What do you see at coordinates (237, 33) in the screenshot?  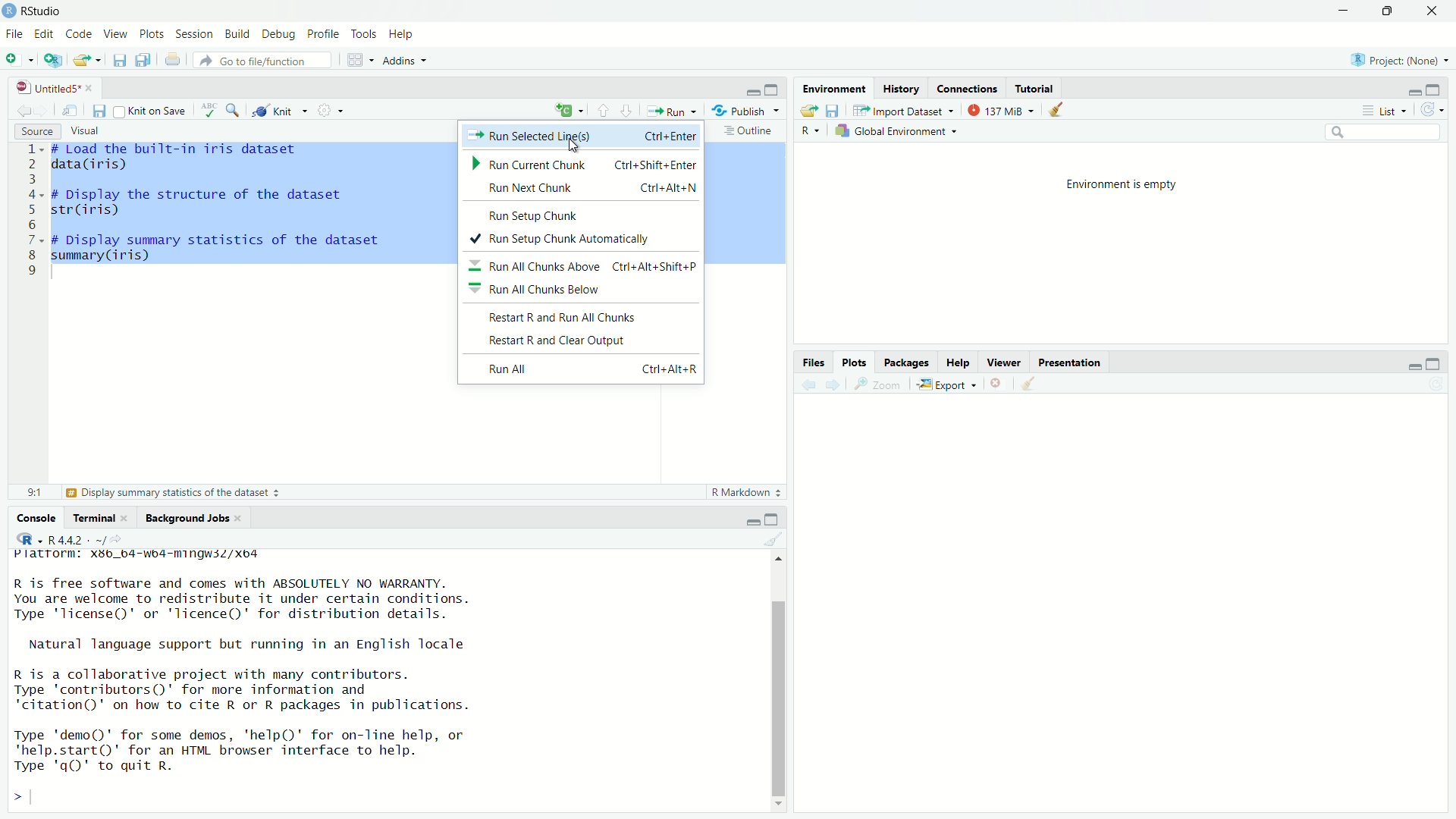 I see `Build` at bounding box center [237, 33].